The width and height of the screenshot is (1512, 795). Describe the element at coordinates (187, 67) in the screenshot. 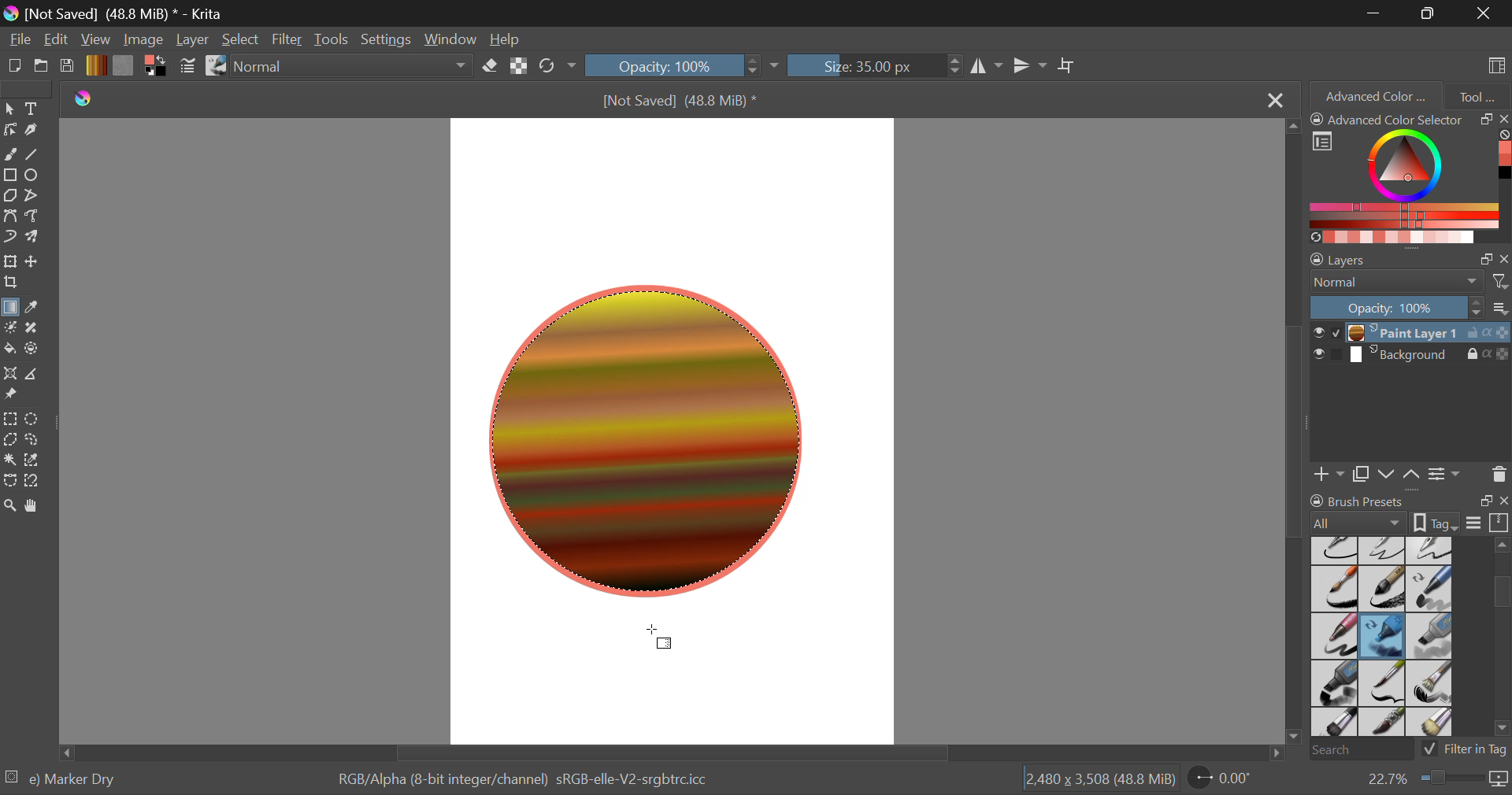

I see `Brush Settings` at that location.